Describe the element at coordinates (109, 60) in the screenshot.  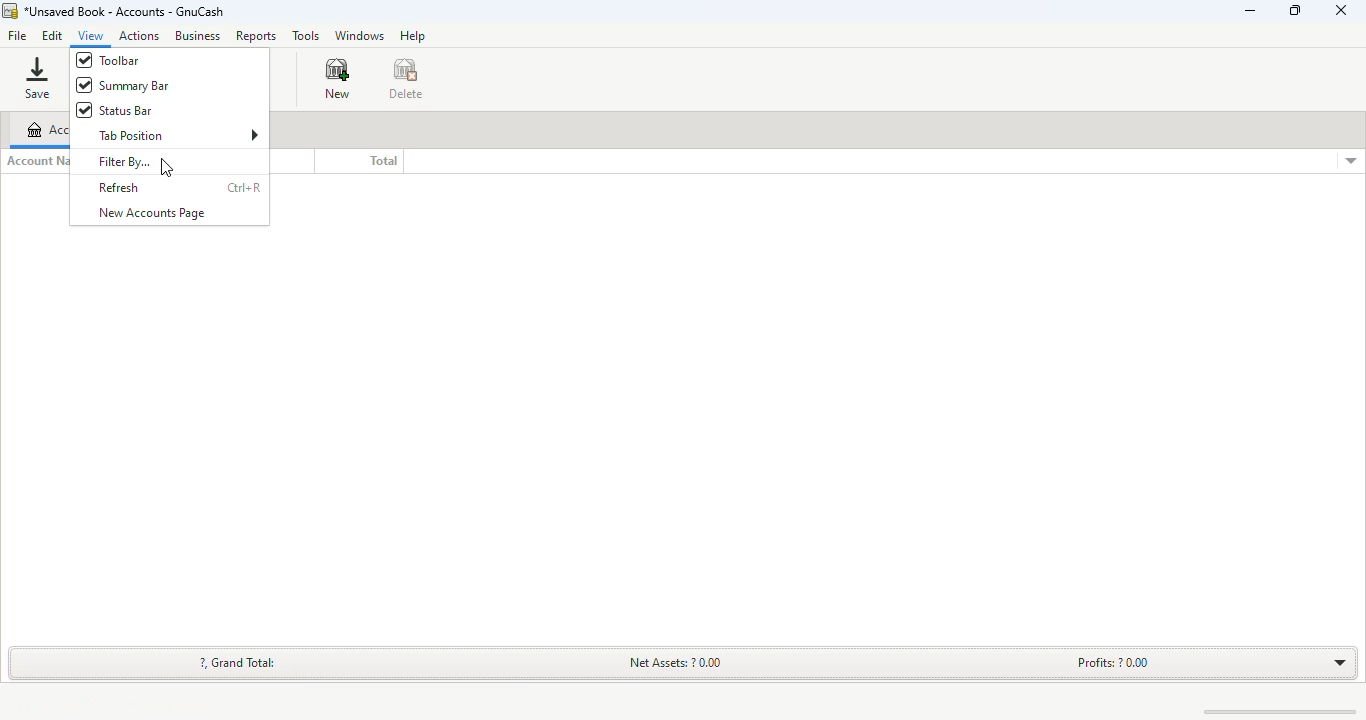
I see `toolbar` at that location.